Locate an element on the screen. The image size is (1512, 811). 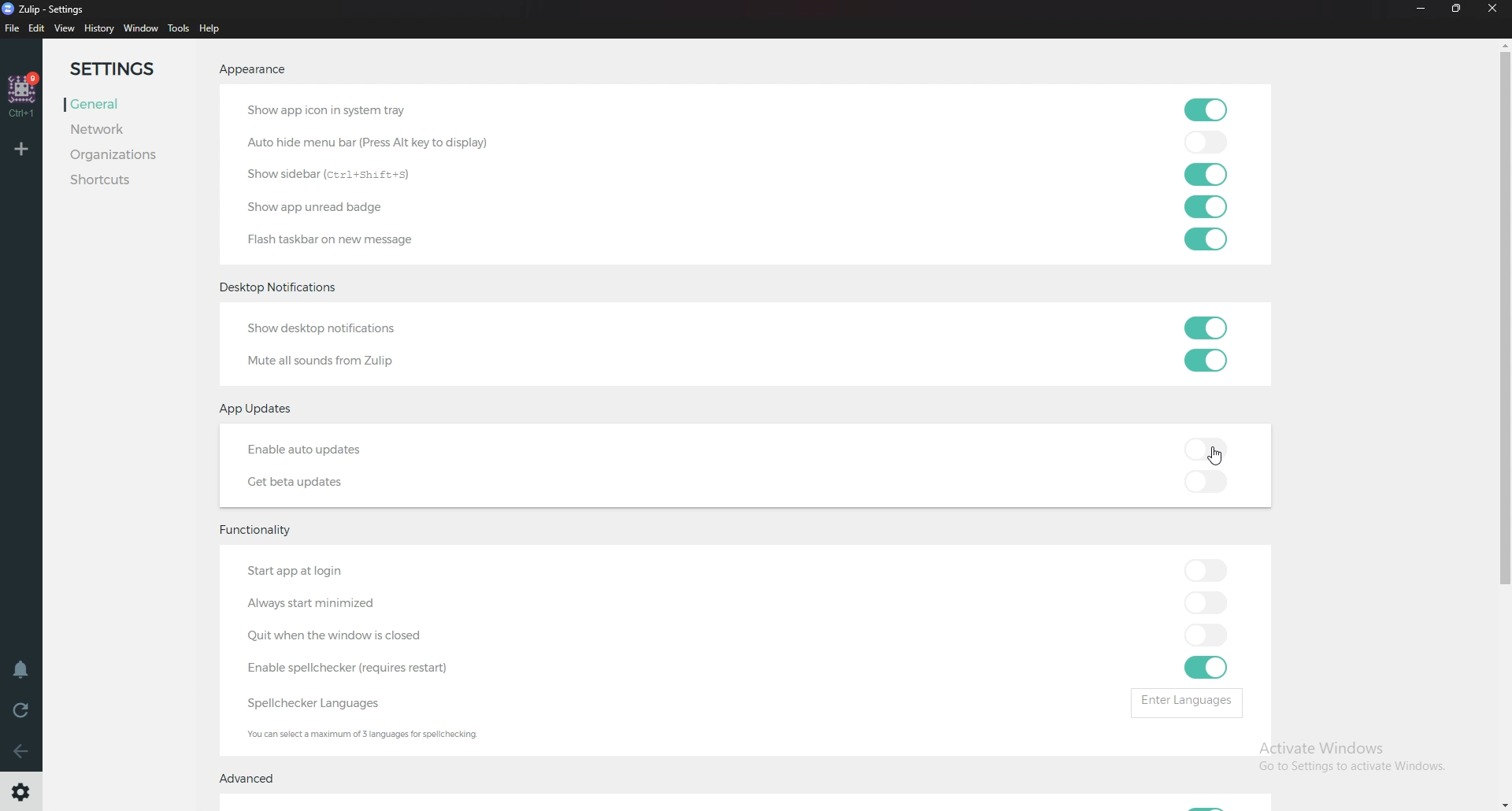
Organizations is located at coordinates (124, 154).